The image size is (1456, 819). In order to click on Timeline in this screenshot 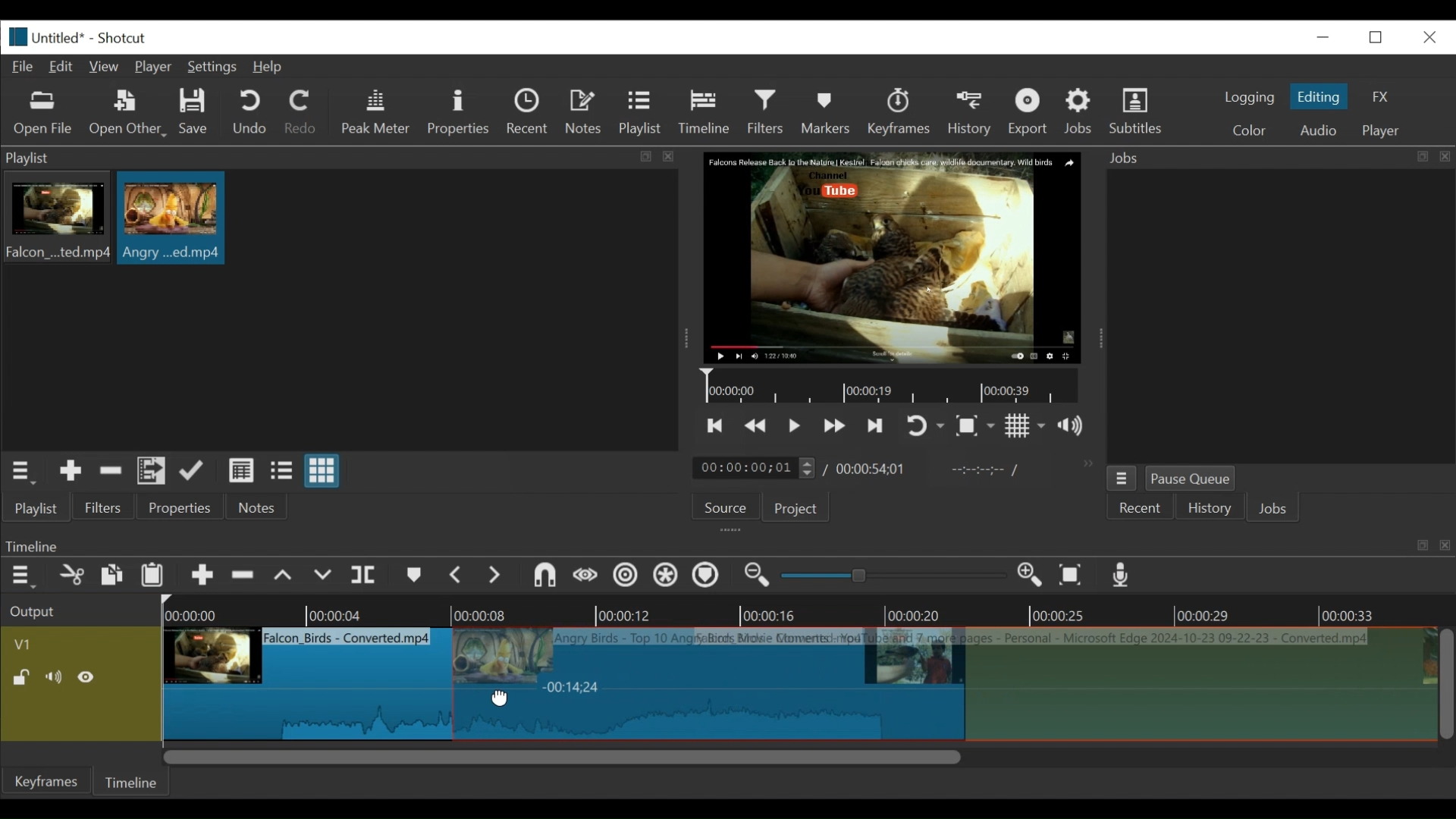, I will do `click(134, 780)`.